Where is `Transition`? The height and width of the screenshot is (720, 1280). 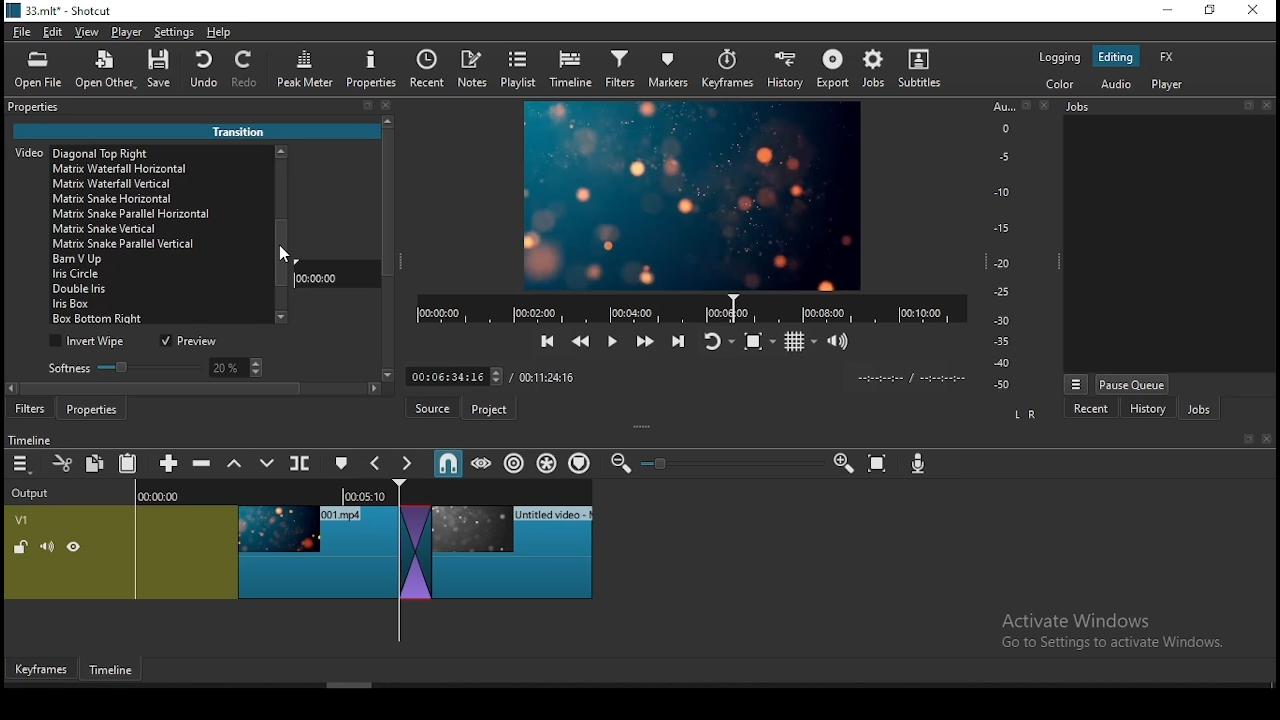 Transition is located at coordinates (246, 129).